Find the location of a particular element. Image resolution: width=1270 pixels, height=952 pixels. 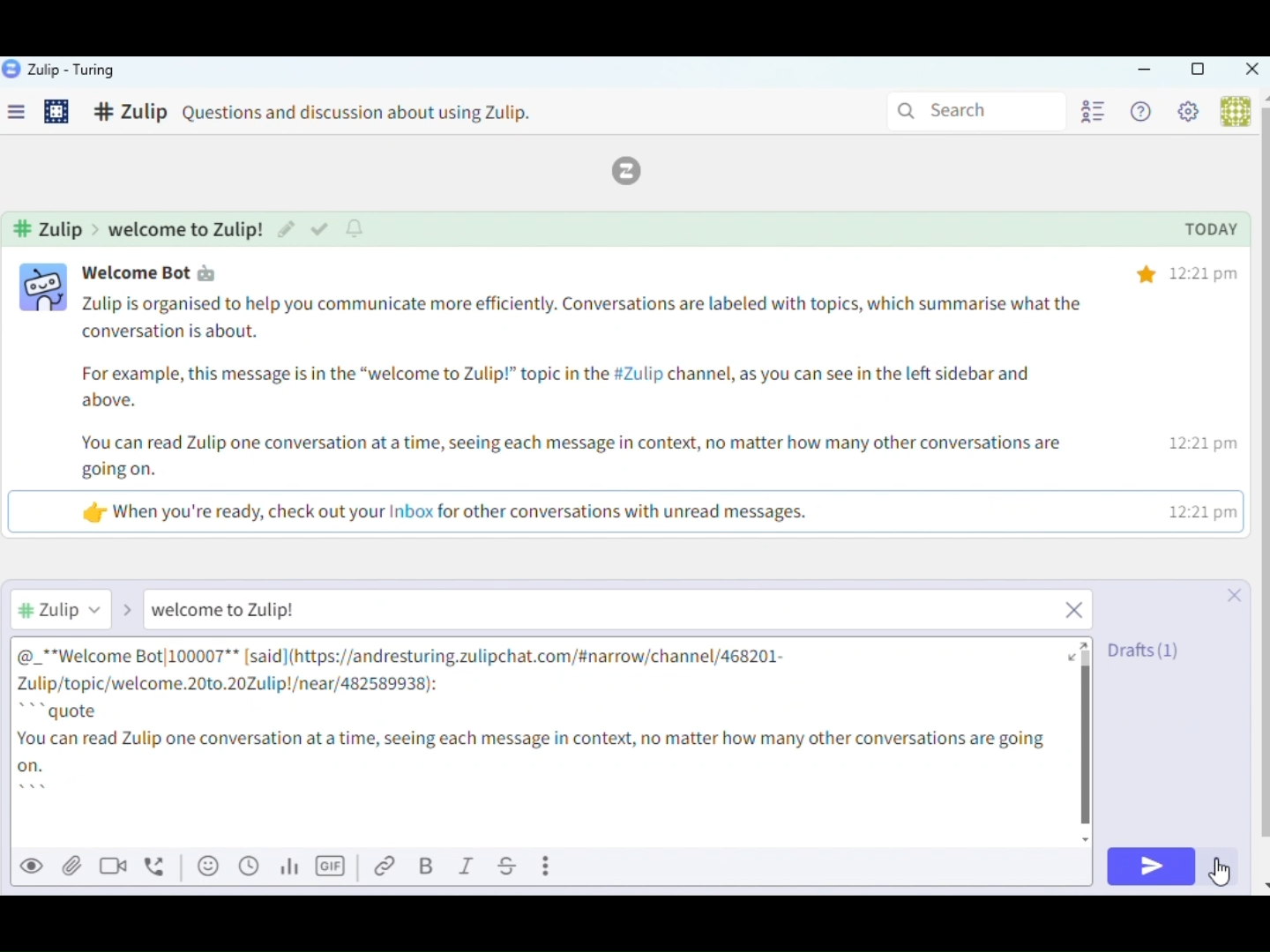

Zulip is located at coordinates (60, 71).